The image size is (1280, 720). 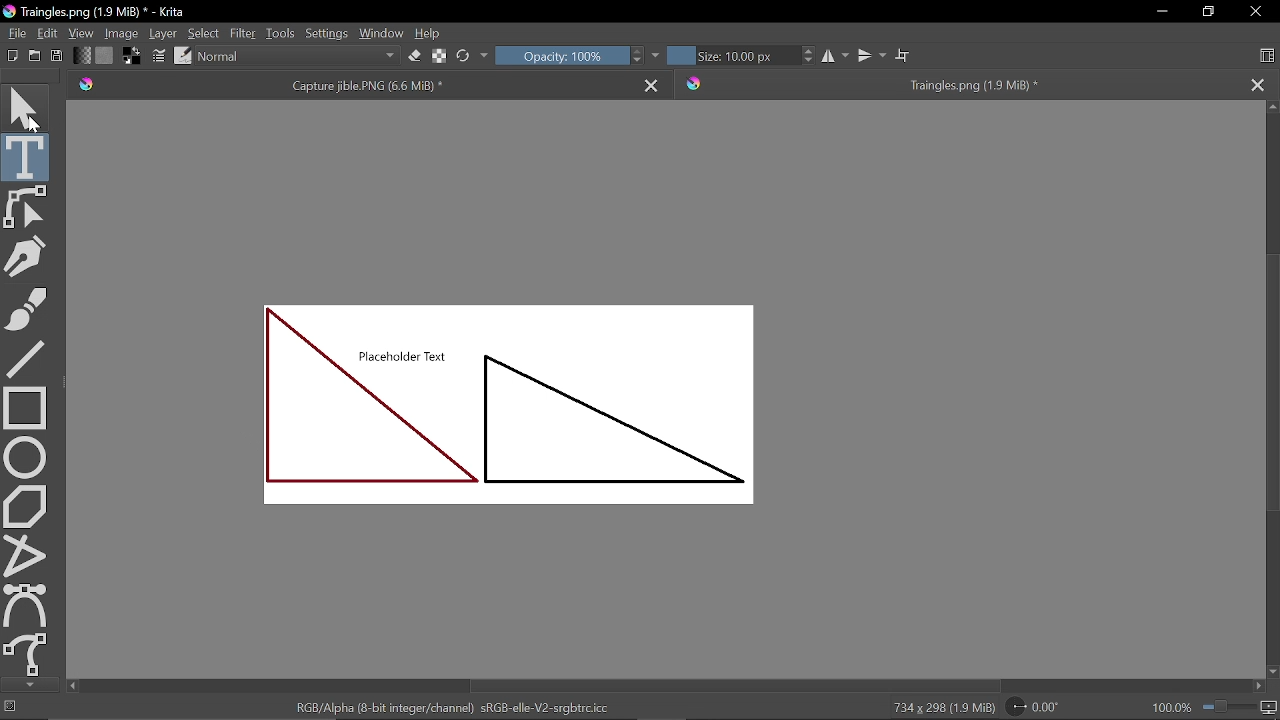 I want to click on Vertical scrollbar, so click(x=1272, y=389).